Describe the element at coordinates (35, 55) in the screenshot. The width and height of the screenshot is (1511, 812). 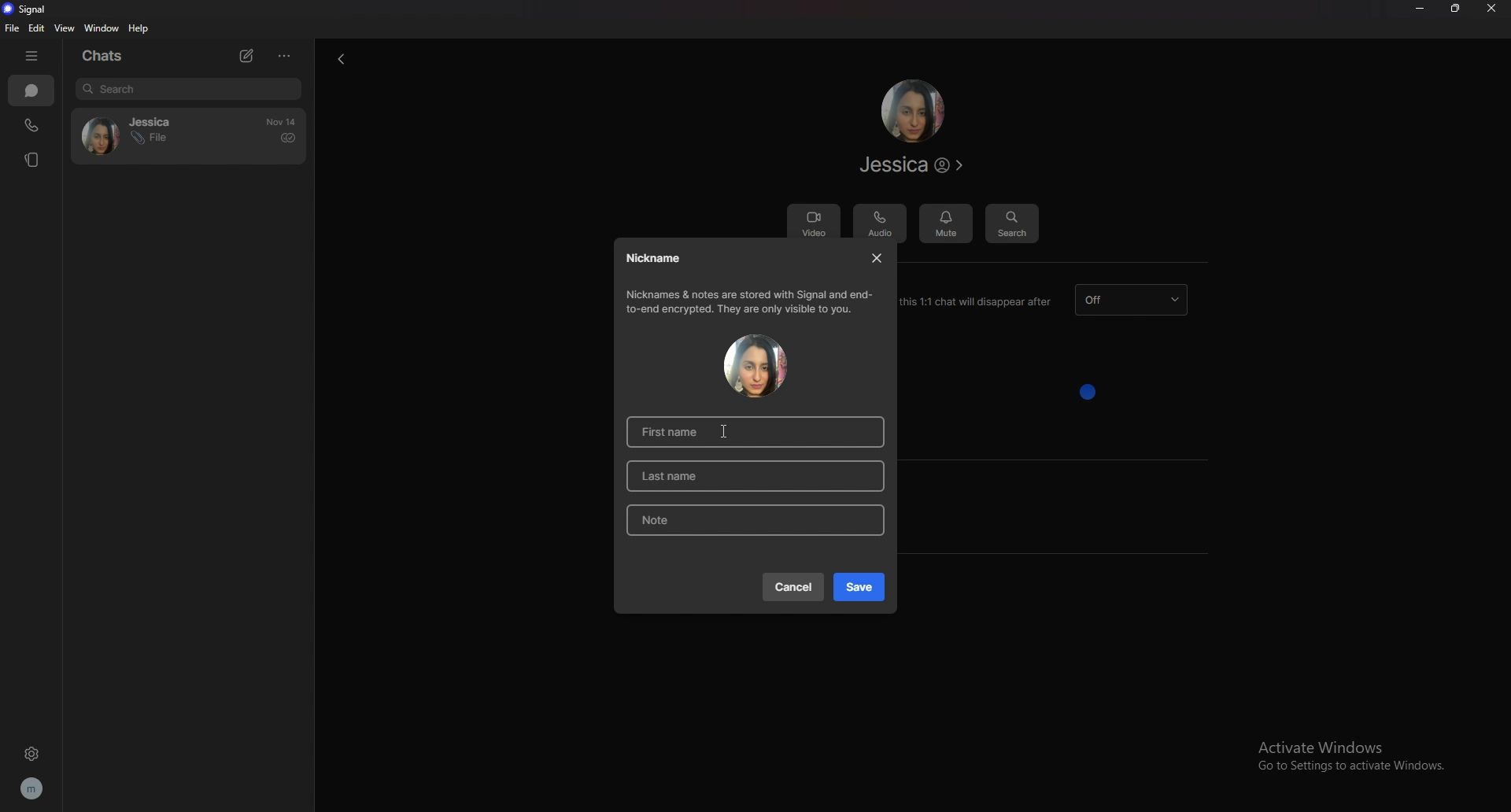
I see `hide bar` at that location.